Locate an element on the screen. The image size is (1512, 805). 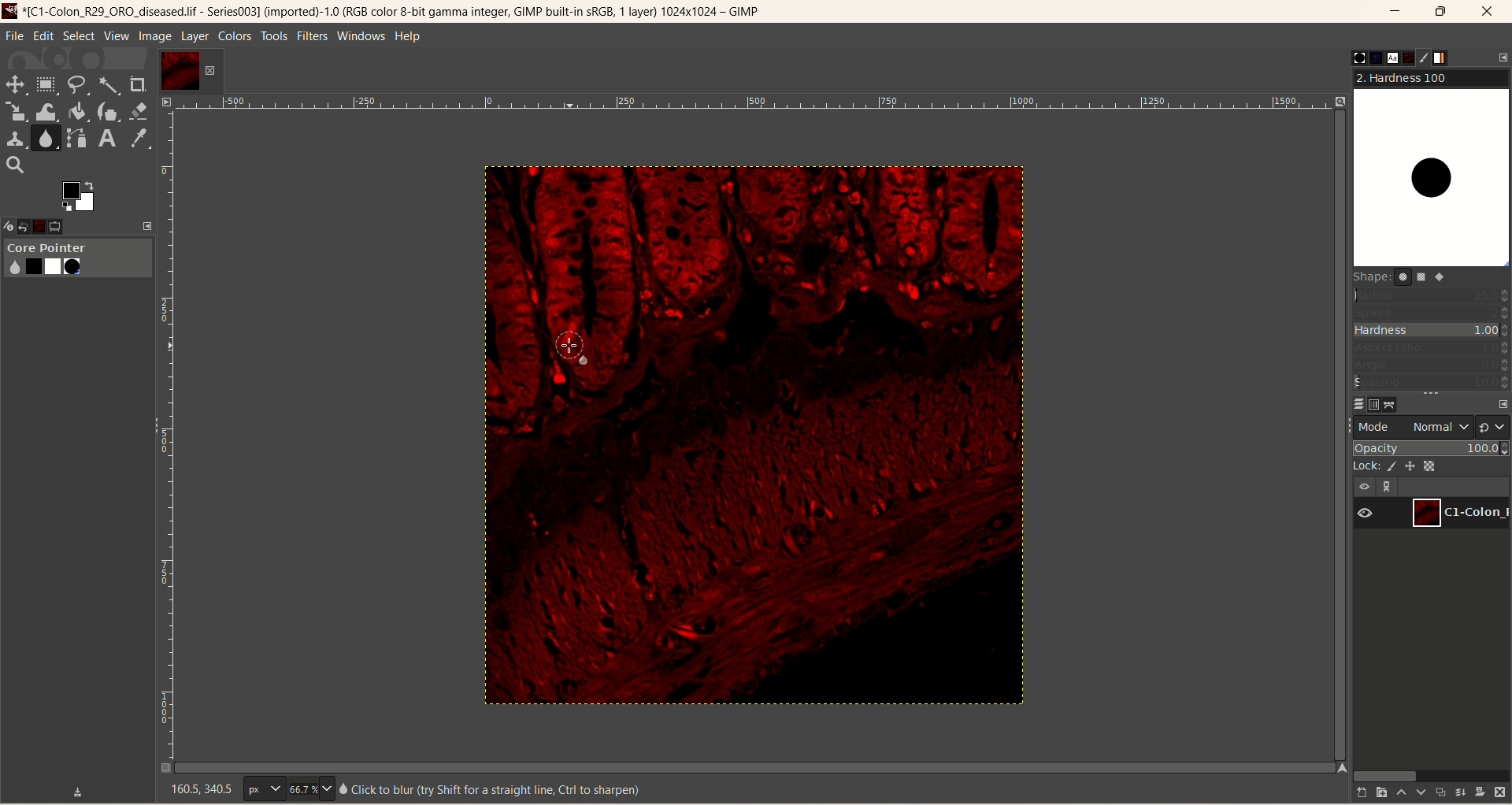
path is located at coordinates (1393, 404).